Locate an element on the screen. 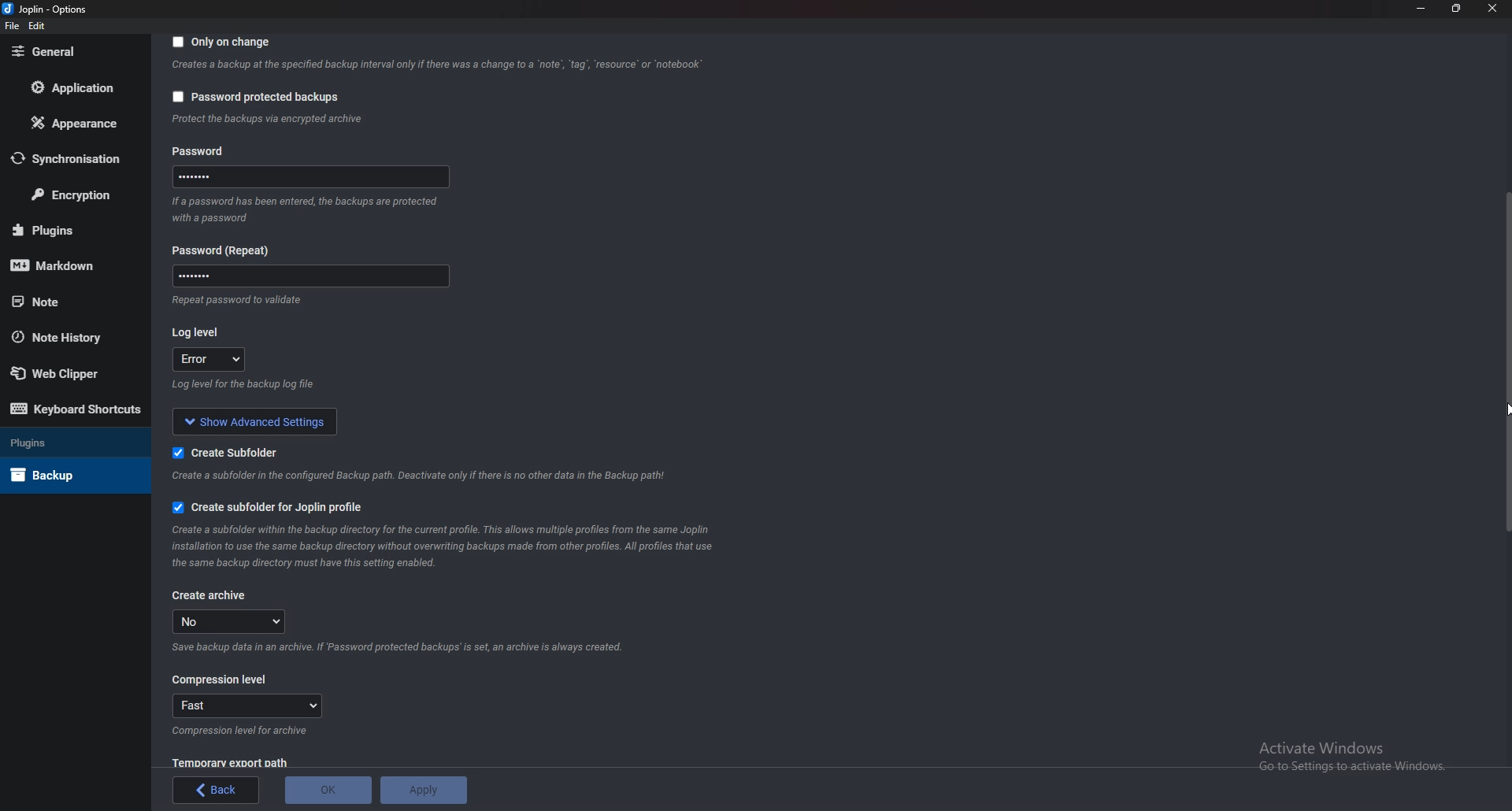 Image resolution: width=1512 pixels, height=811 pixels. Info is located at coordinates (310, 209).